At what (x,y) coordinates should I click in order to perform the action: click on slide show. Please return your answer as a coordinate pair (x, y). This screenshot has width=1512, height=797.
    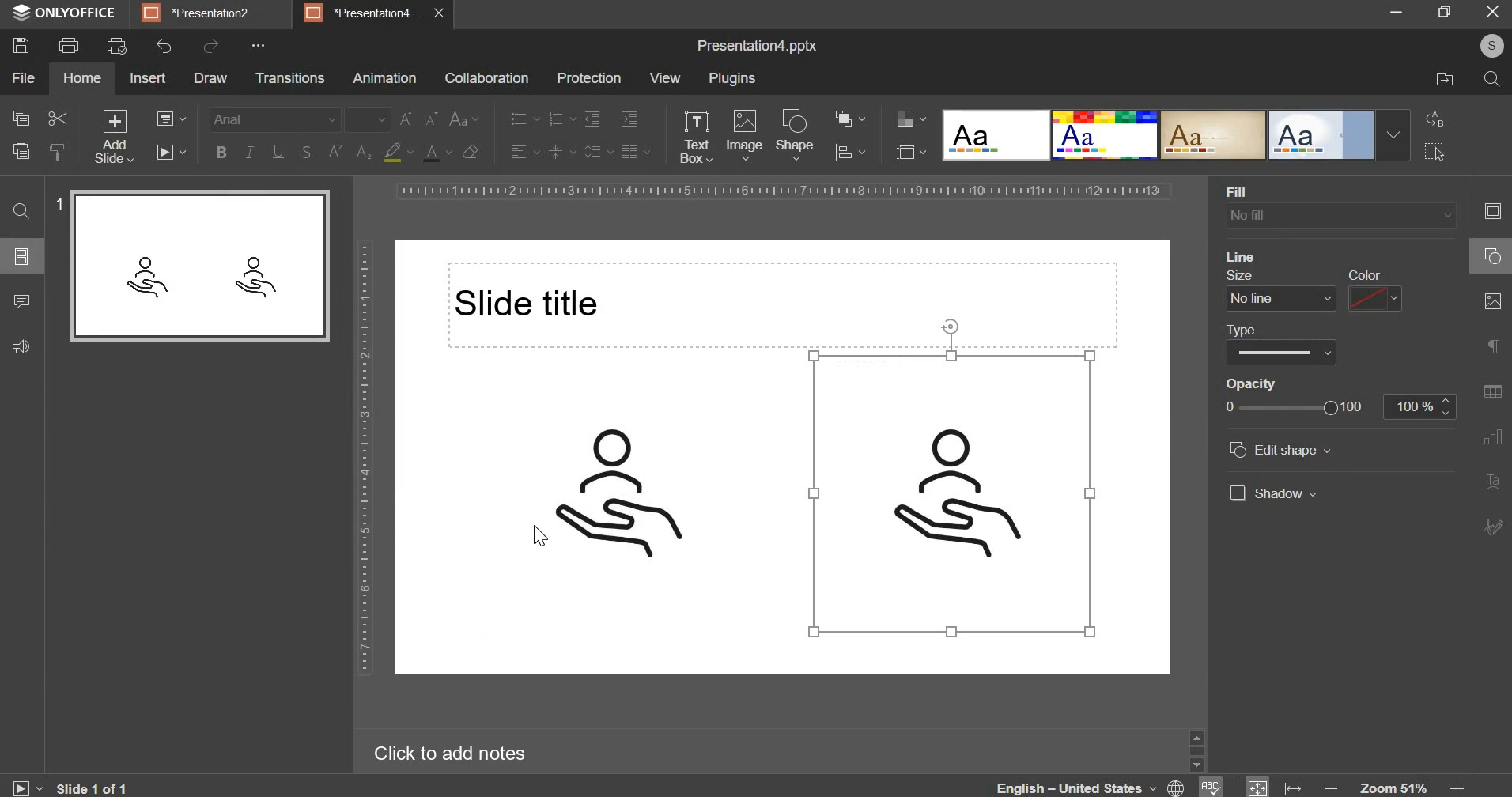
    Looking at the image, I should click on (25, 785).